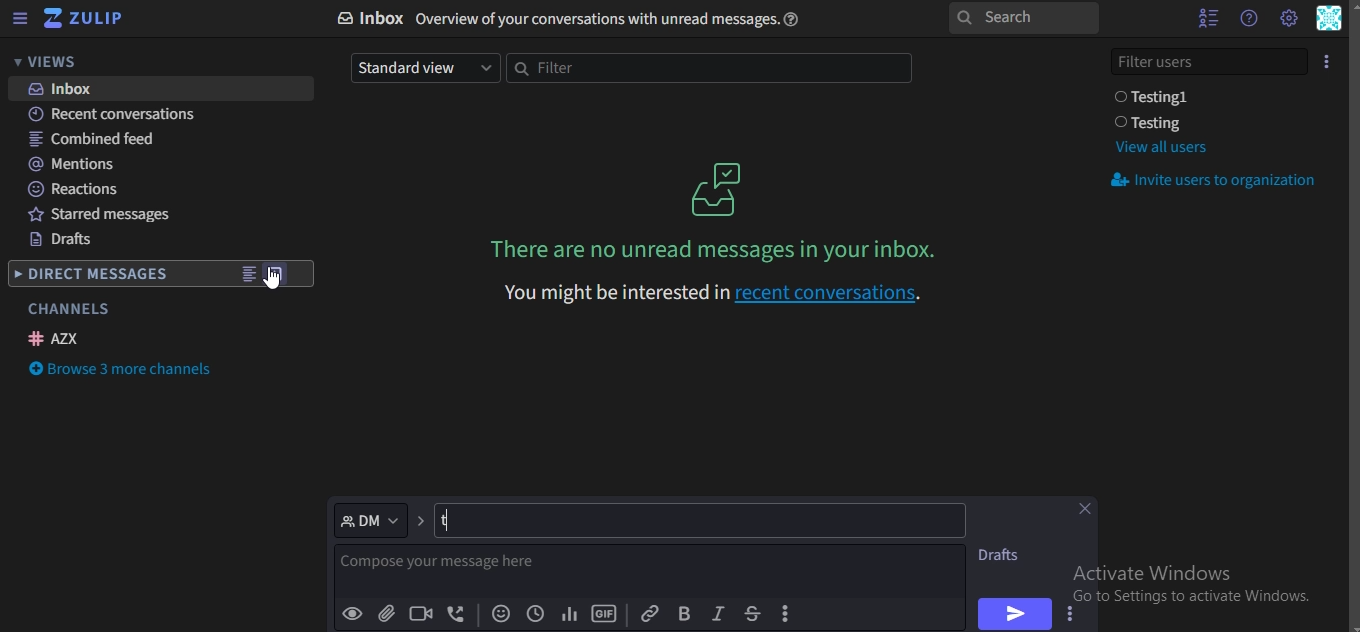 This screenshot has height=632, width=1360. What do you see at coordinates (751, 613) in the screenshot?
I see `strikethrough` at bounding box center [751, 613].